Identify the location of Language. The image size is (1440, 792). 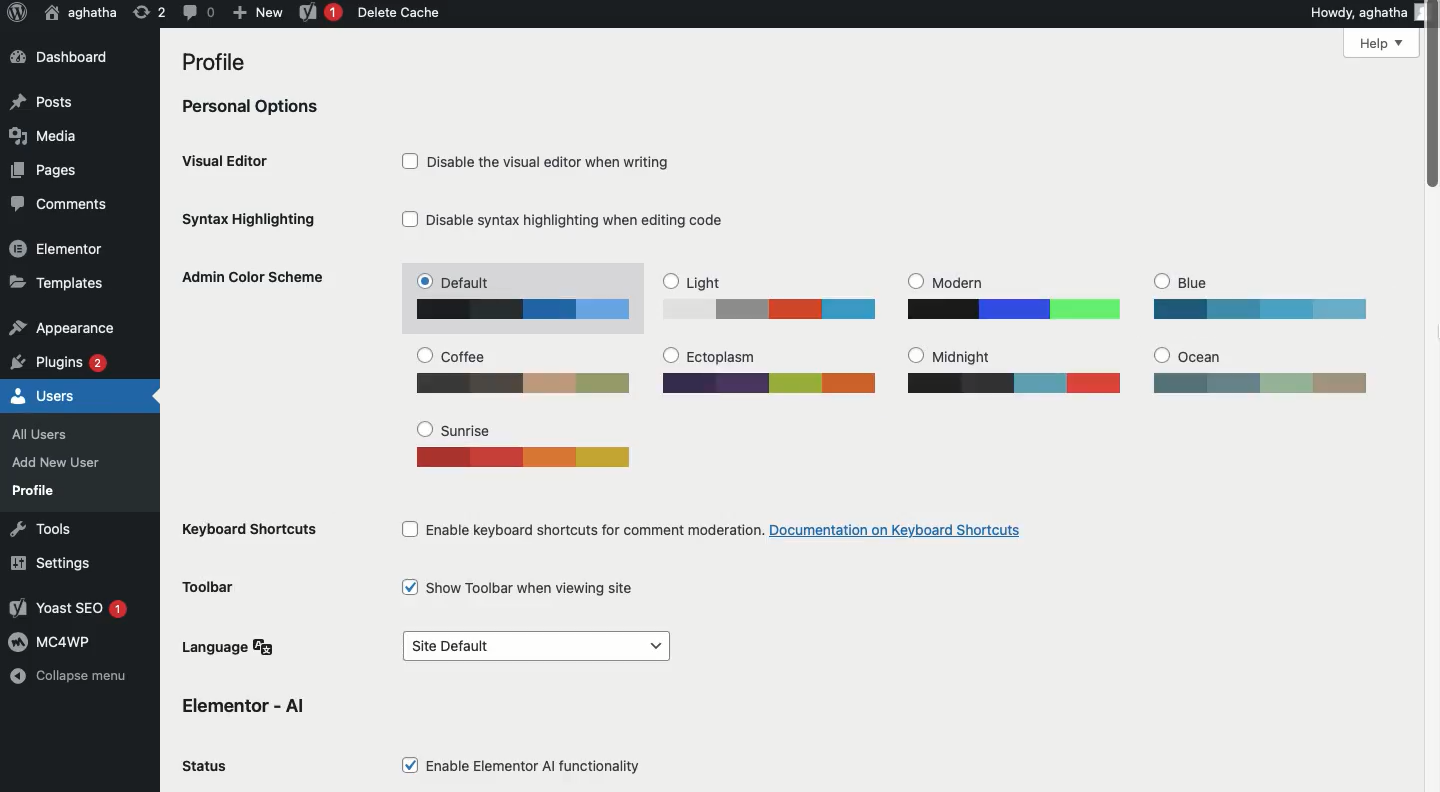
(223, 651).